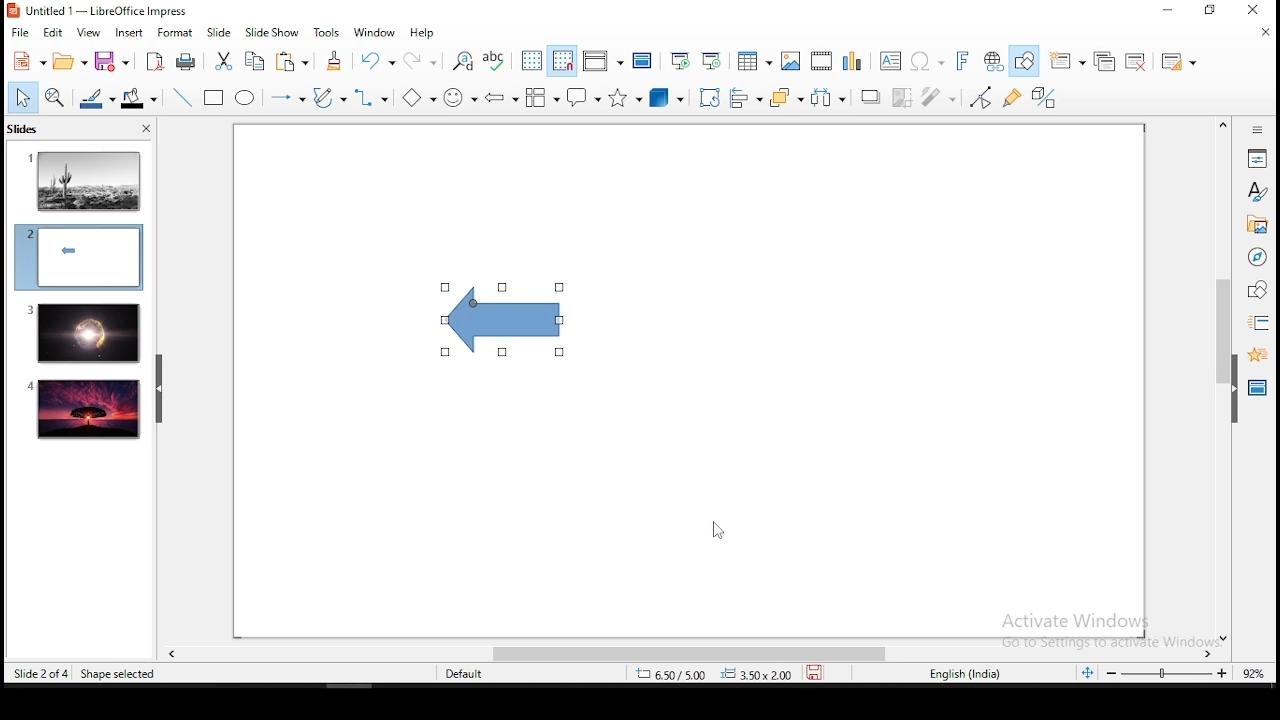  What do you see at coordinates (138, 100) in the screenshot?
I see `shape fill` at bounding box center [138, 100].